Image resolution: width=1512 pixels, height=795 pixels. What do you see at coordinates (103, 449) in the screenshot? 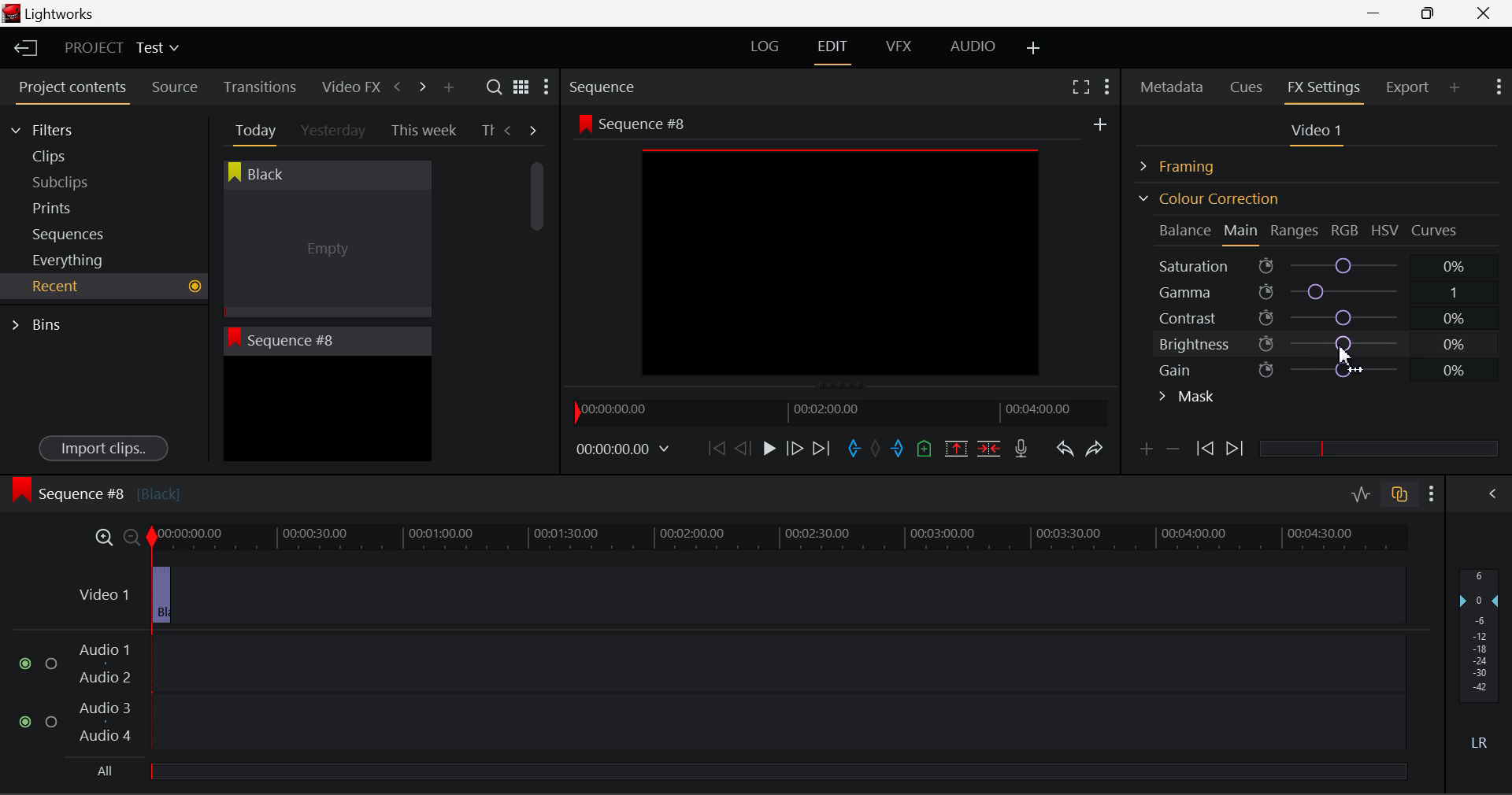
I see `Import clips` at bounding box center [103, 449].